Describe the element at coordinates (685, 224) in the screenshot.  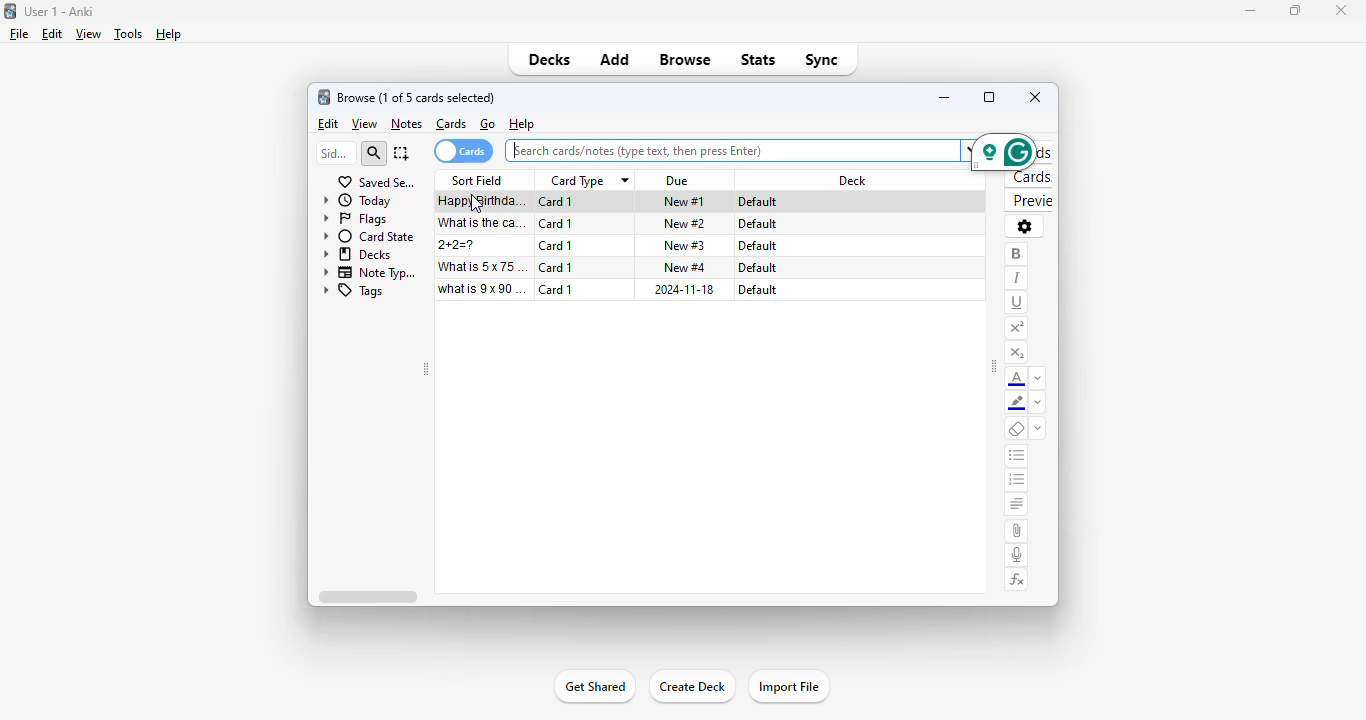
I see `new #2` at that location.